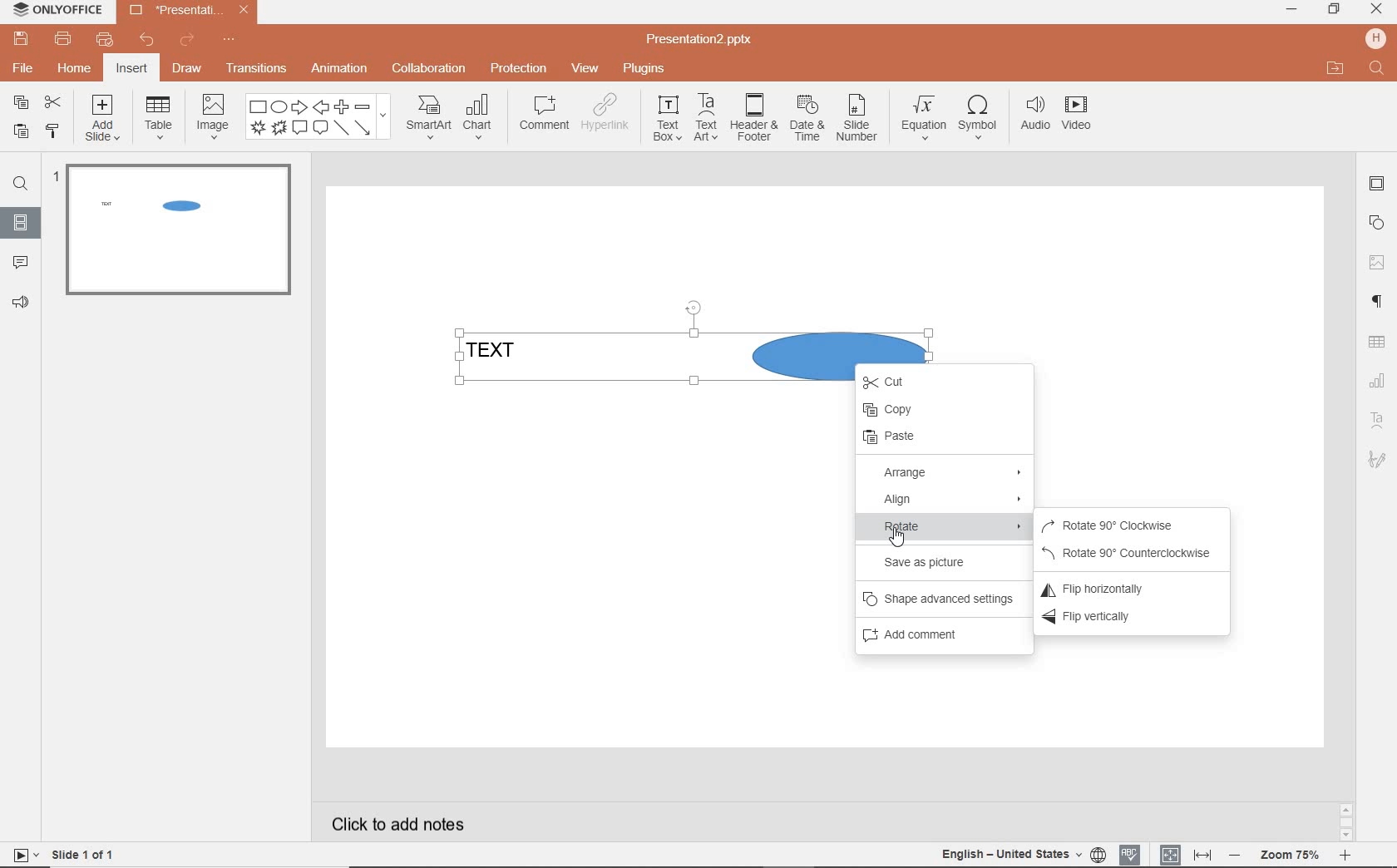 This screenshot has width=1397, height=868. I want to click on PARAGRAPH SETTINGS, so click(1378, 303).